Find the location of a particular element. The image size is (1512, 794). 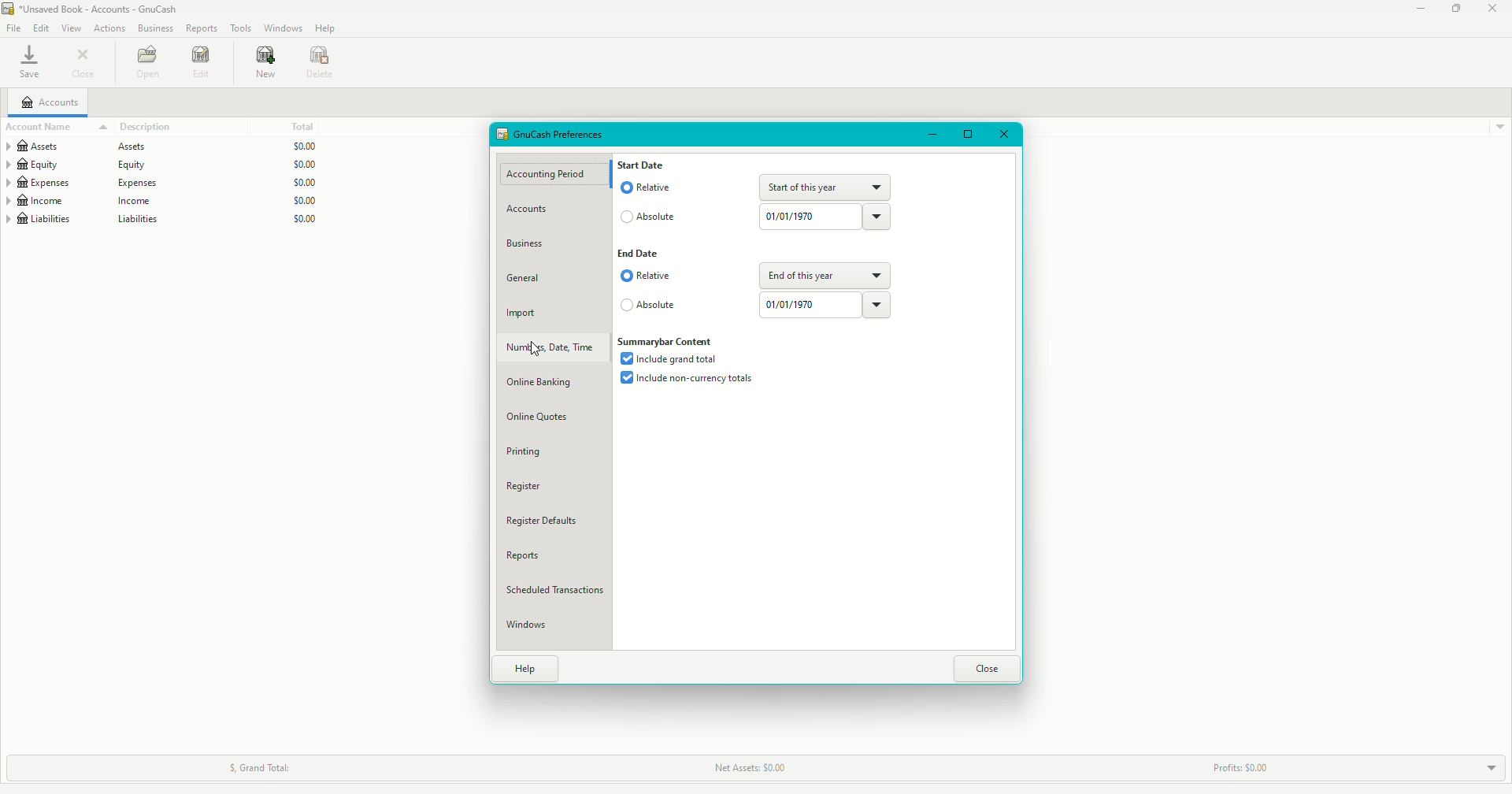

Windows is located at coordinates (533, 626).